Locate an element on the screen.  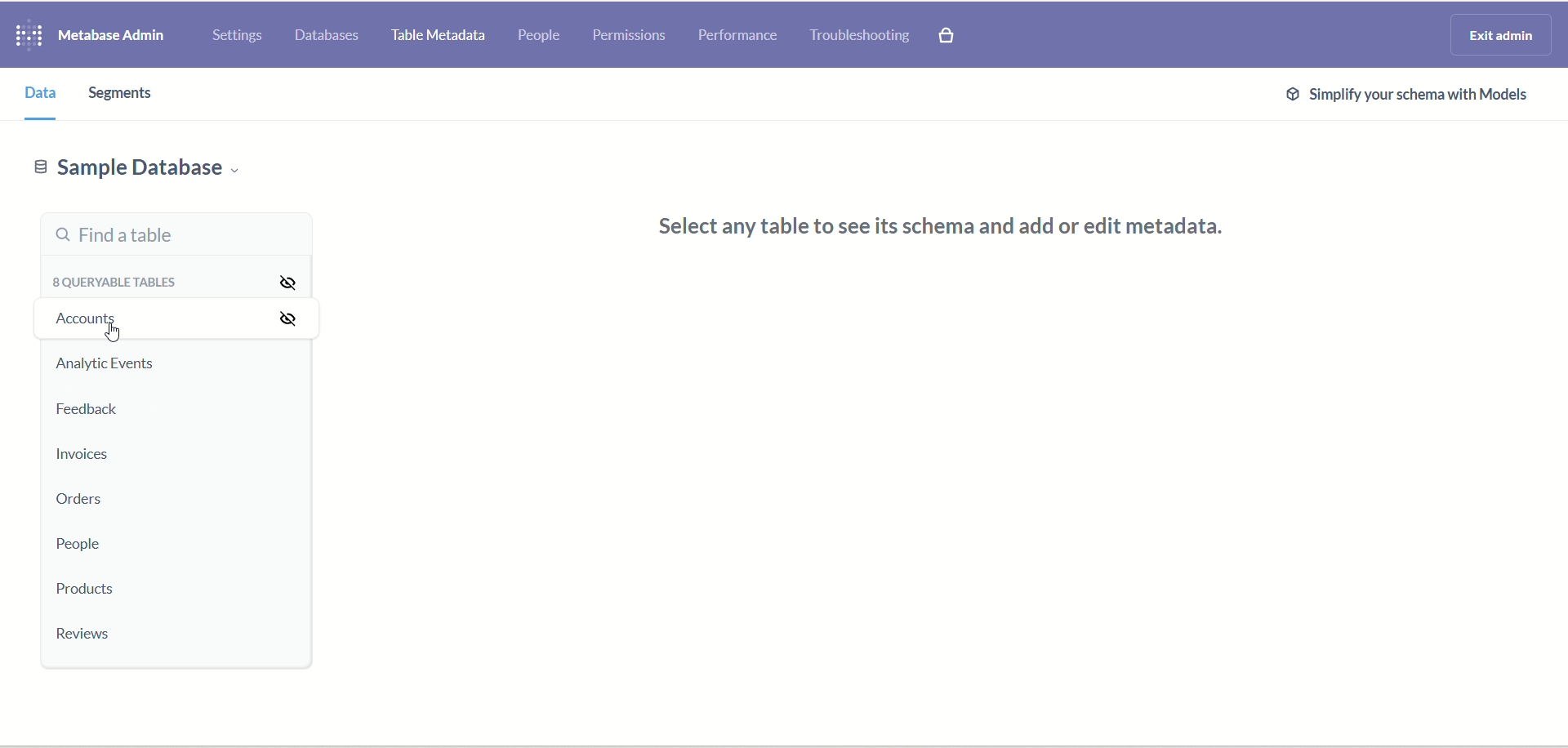
people is located at coordinates (542, 35).